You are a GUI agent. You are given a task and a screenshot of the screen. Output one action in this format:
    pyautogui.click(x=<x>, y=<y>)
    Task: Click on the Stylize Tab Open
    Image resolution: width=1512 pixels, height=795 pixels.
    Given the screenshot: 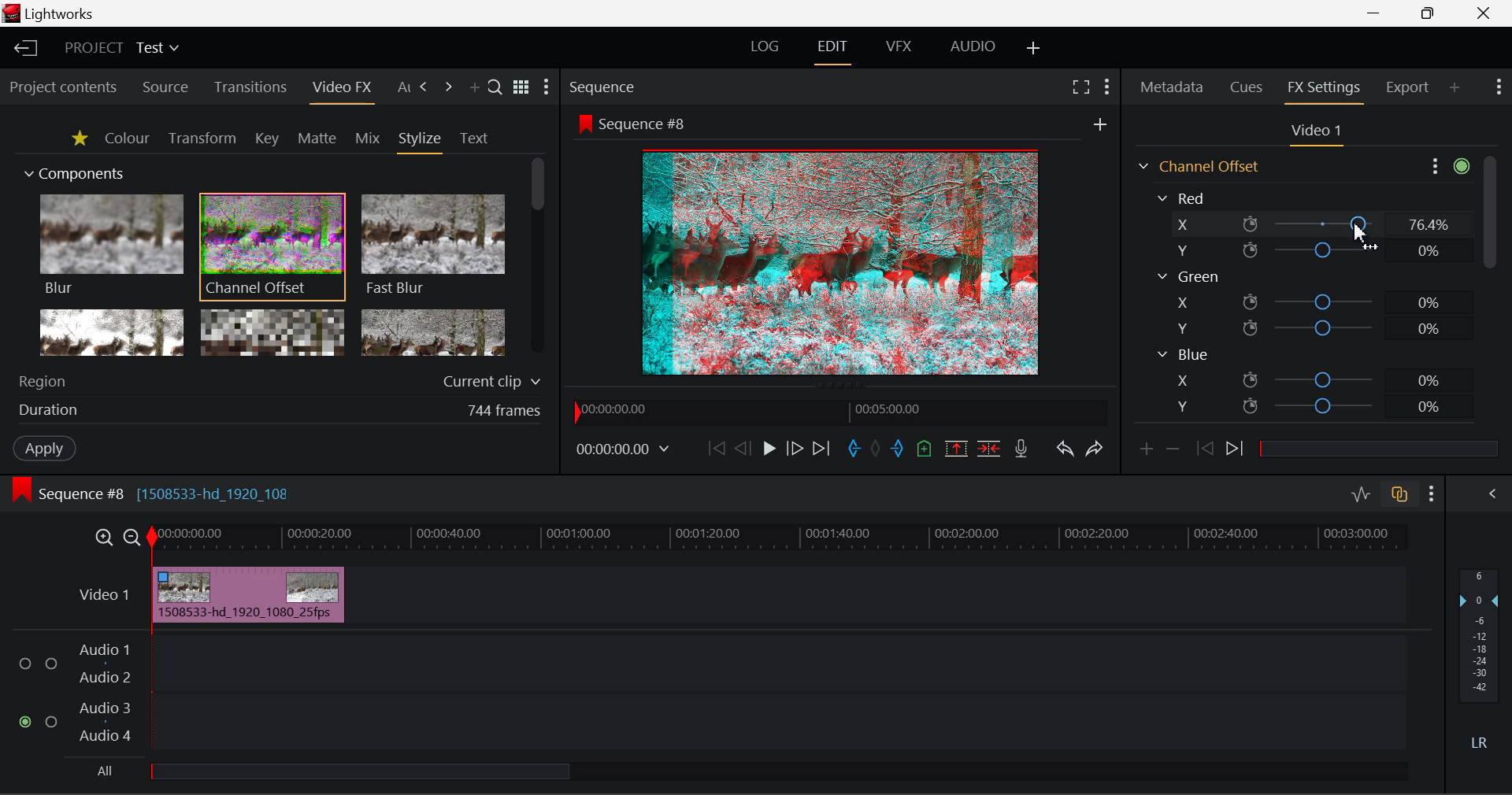 What is the action you would take?
    pyautogui.click(x=419, y=142)
    